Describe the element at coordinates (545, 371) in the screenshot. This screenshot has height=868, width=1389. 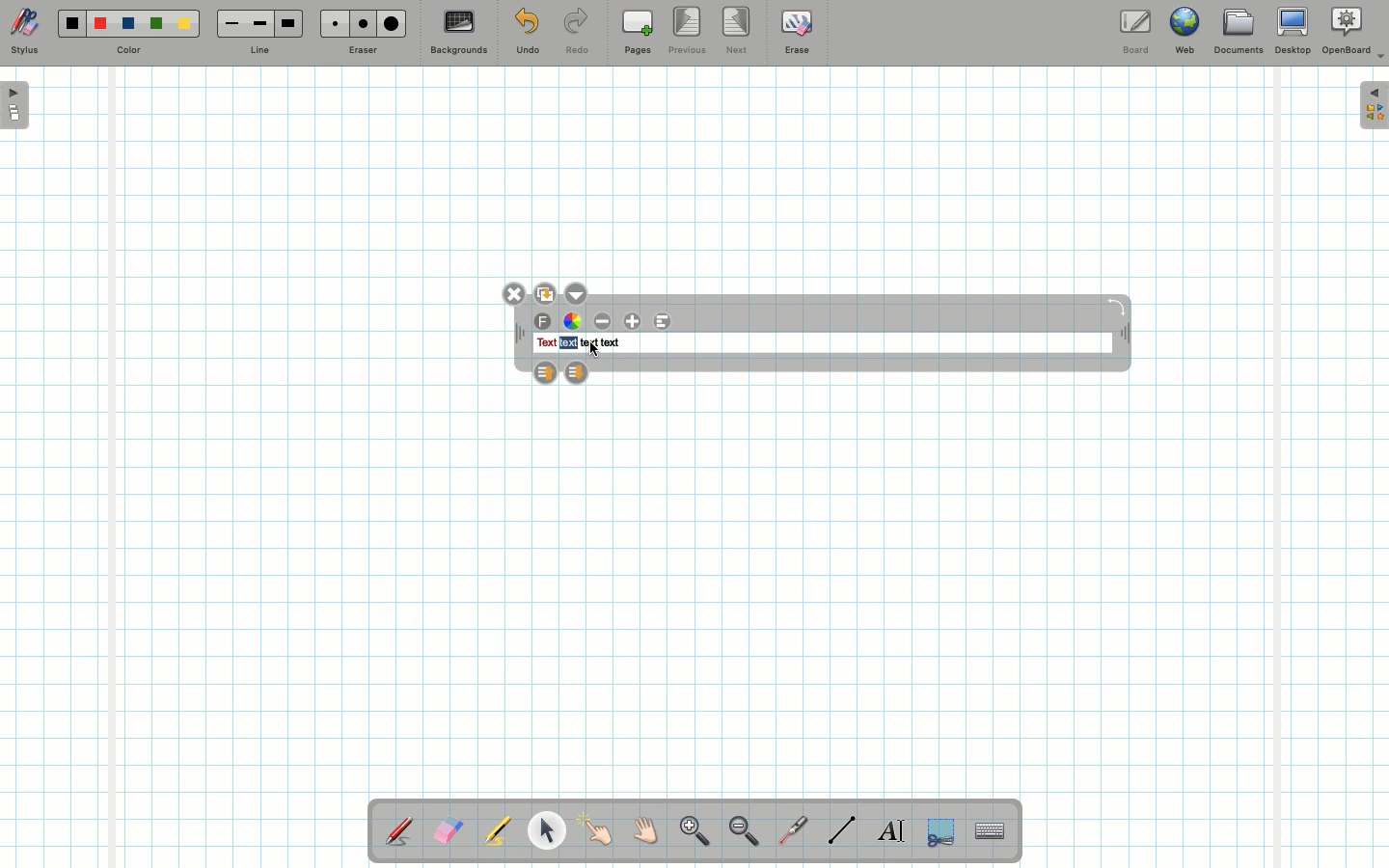
I see `Layer up` at that location.